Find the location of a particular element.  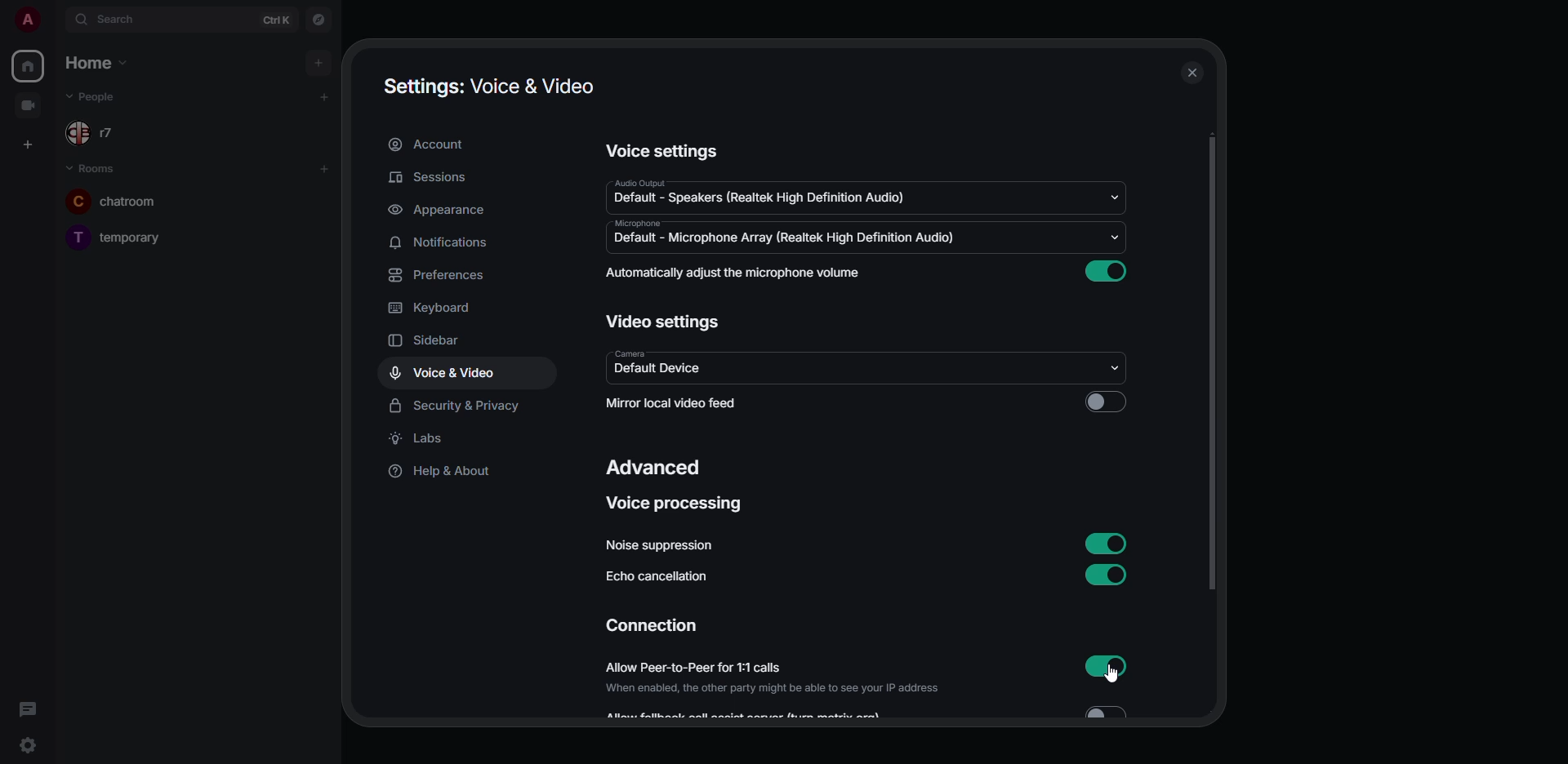

preferences is located at coordinates (442, 274).